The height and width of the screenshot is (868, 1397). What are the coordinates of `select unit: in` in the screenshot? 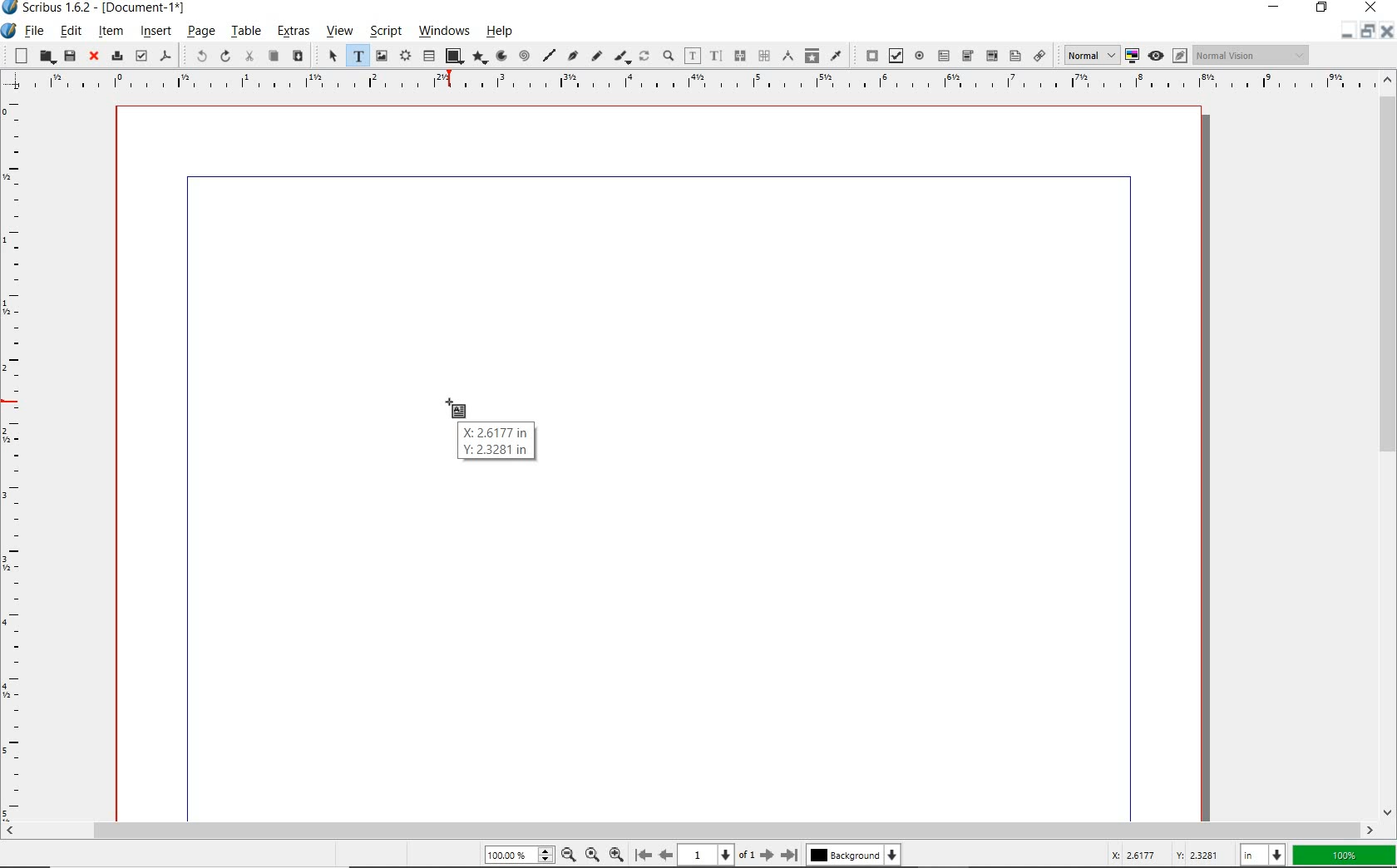 It's located at (1263, 856).